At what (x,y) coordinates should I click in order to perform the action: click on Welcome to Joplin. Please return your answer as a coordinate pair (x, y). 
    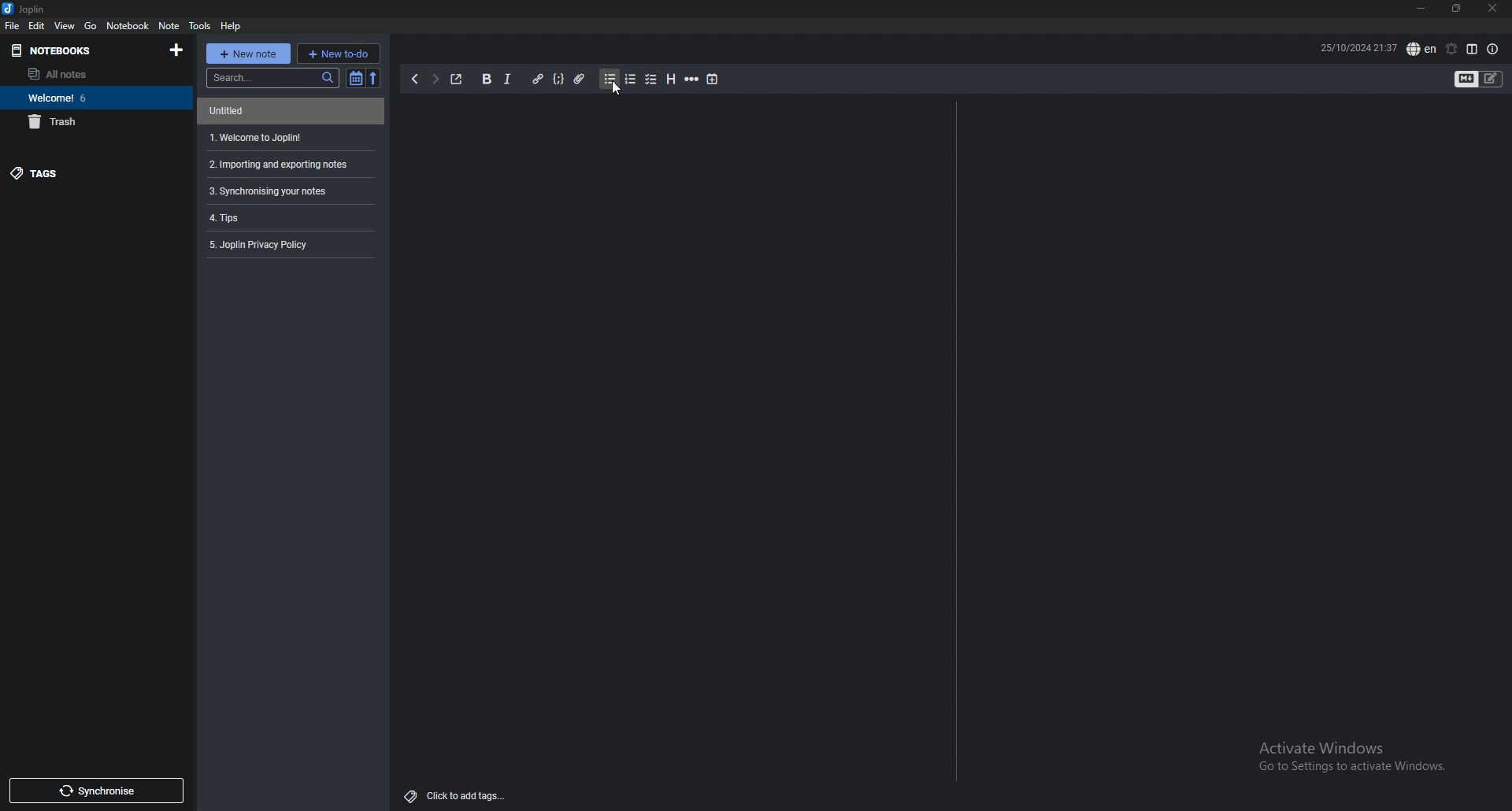
    Looking at the image, I should click on (257, 135).